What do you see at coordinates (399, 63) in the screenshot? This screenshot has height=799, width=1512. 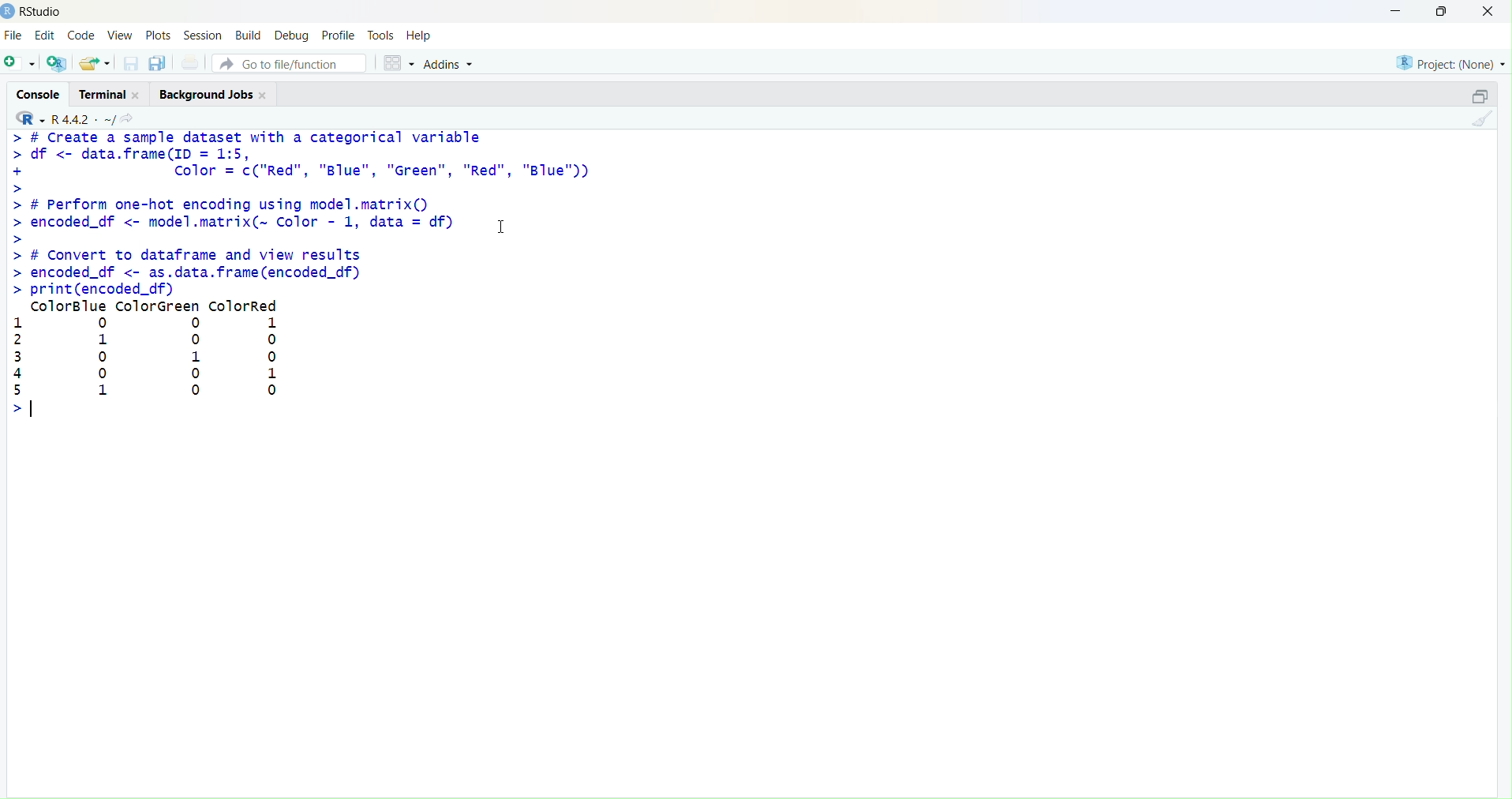 I see `grid` at bounding box center [399, 63].